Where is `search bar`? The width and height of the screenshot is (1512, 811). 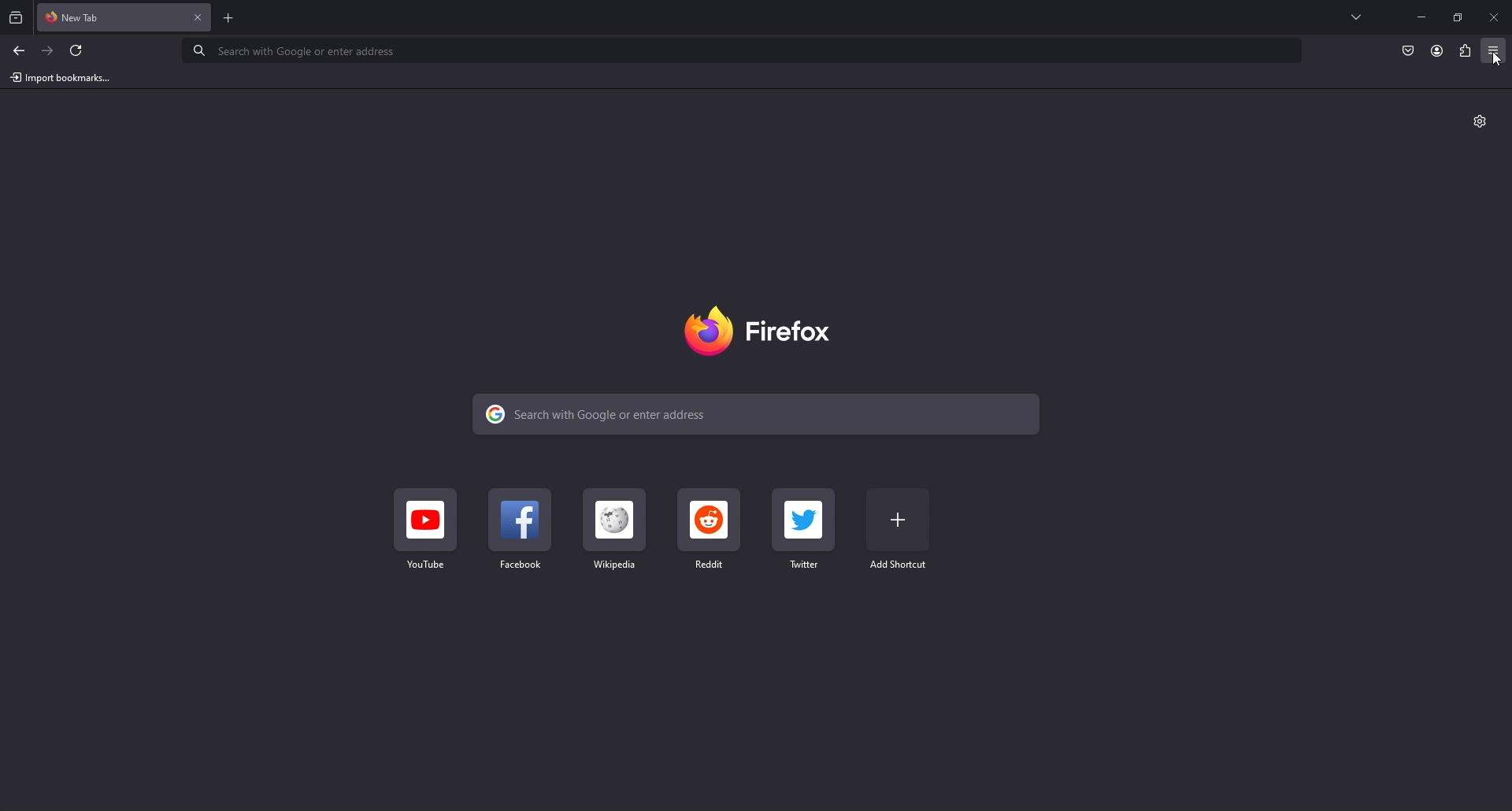 search bar is located at coordinates (759, 413).